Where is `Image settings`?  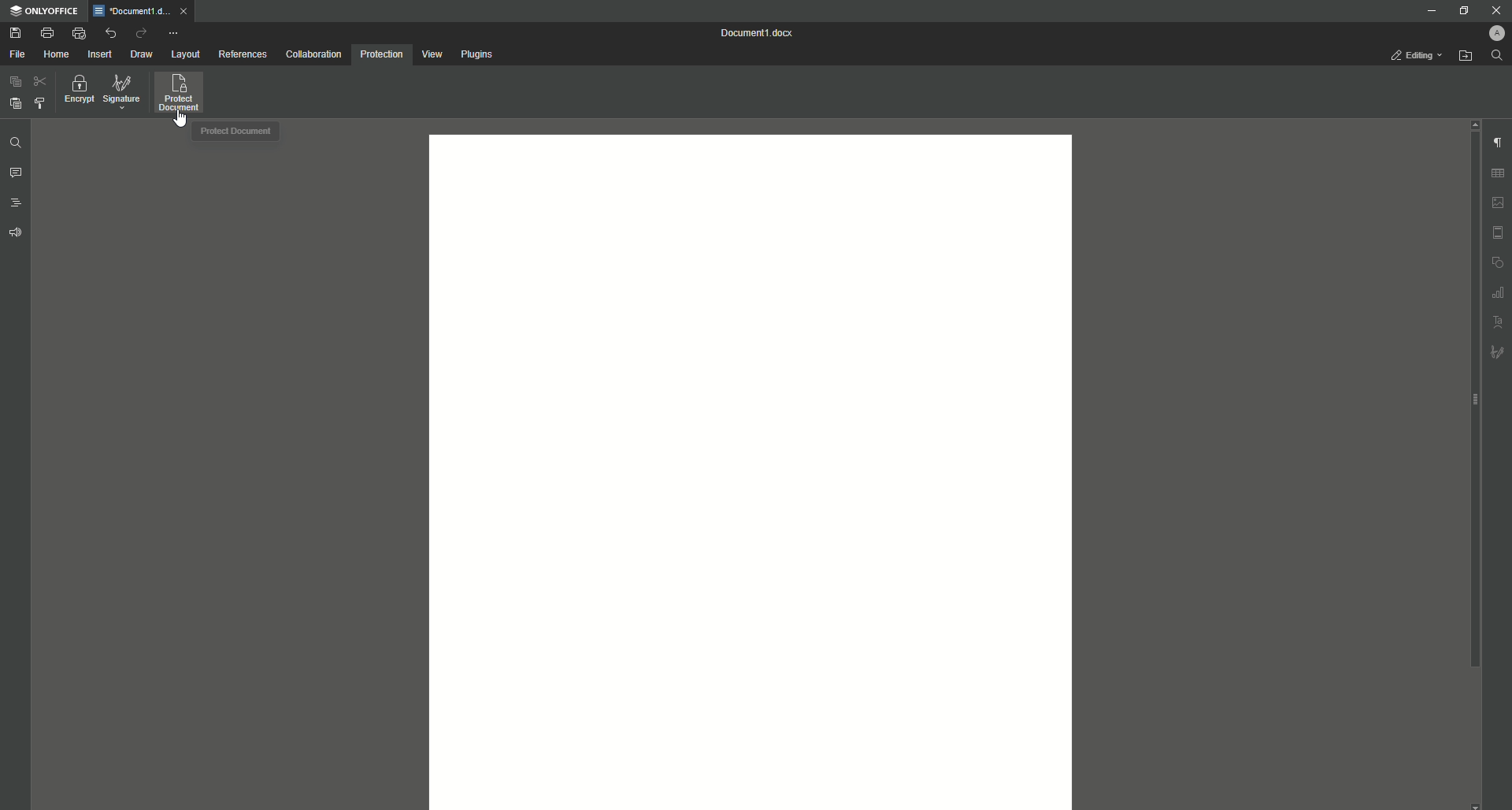
Image settings is located at coordinates (1499, 202).